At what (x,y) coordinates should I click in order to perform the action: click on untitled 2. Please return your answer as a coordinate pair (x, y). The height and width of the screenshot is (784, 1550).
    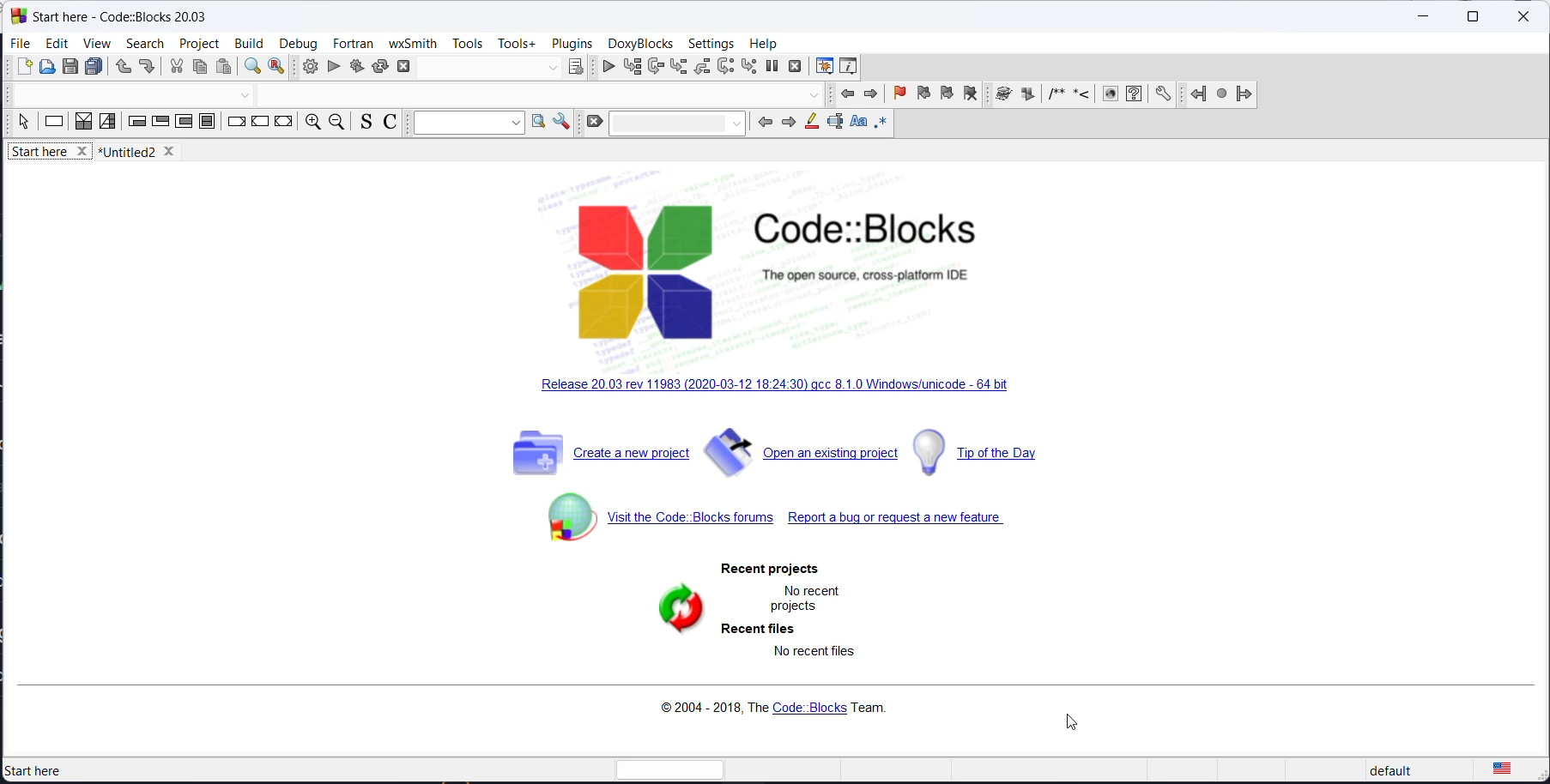
    Looking at the image, I should click on (143, 152).